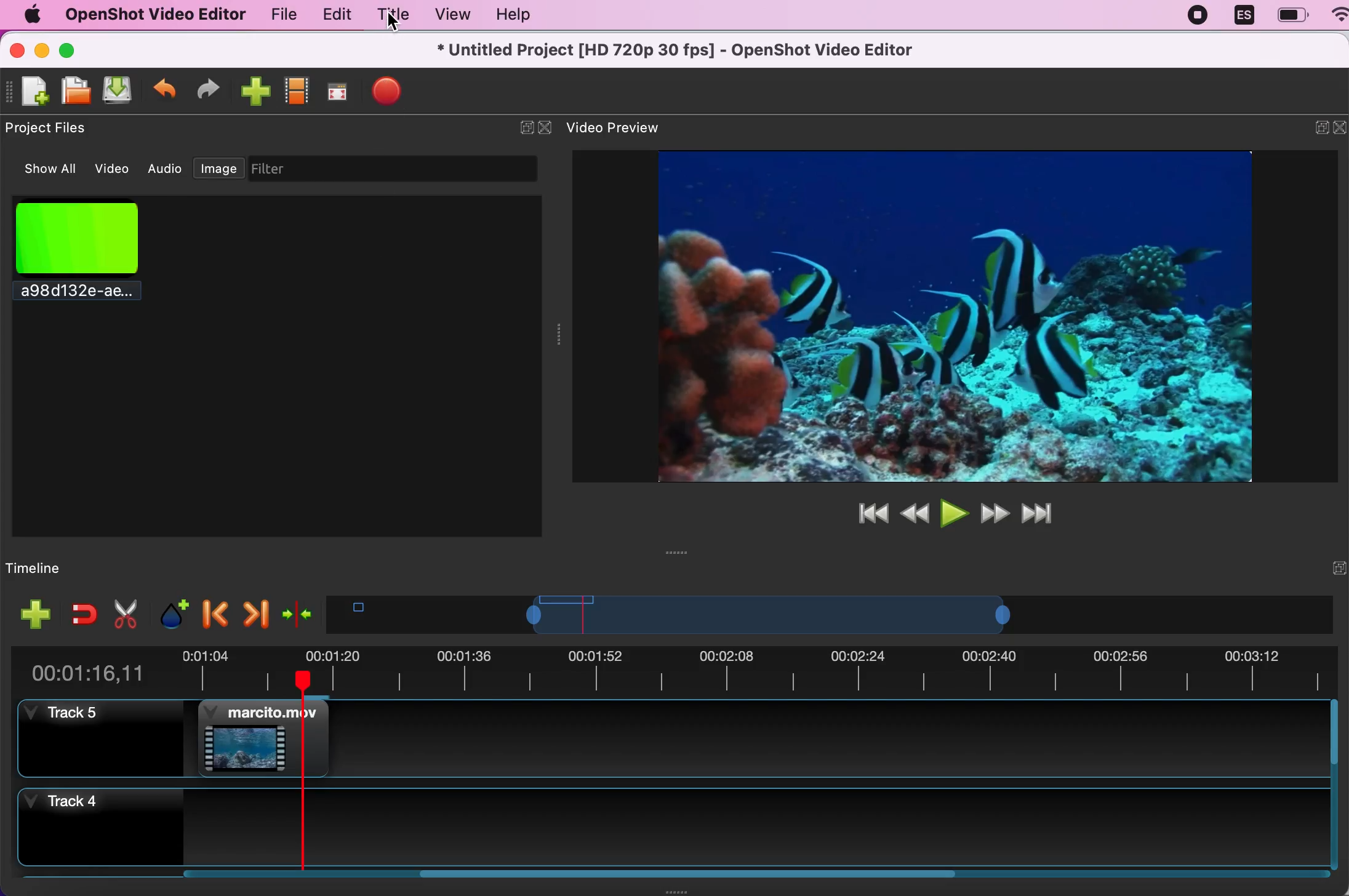 This screenshot has width=1349, height=896. What do you see at coordinates (52, 129) in the screenshot?
I see `project files` at bounding box center [52, 129].